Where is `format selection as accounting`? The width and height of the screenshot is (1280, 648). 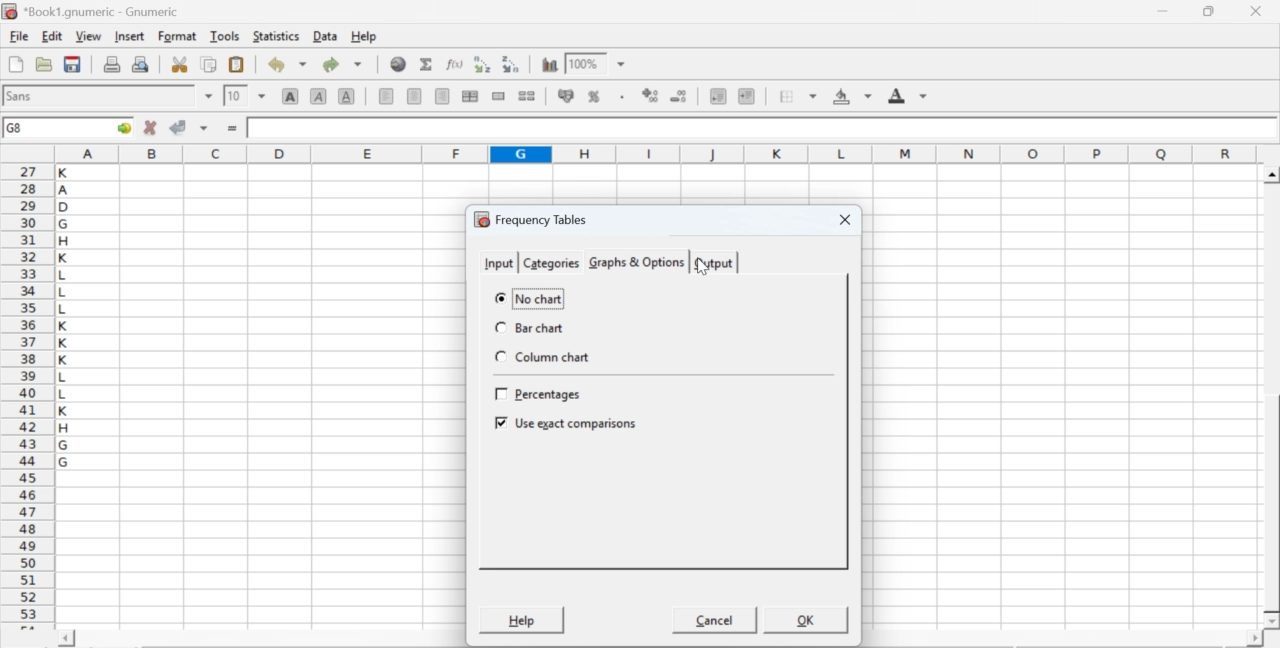
format selection as accounting is located at coordinates (566, 95).